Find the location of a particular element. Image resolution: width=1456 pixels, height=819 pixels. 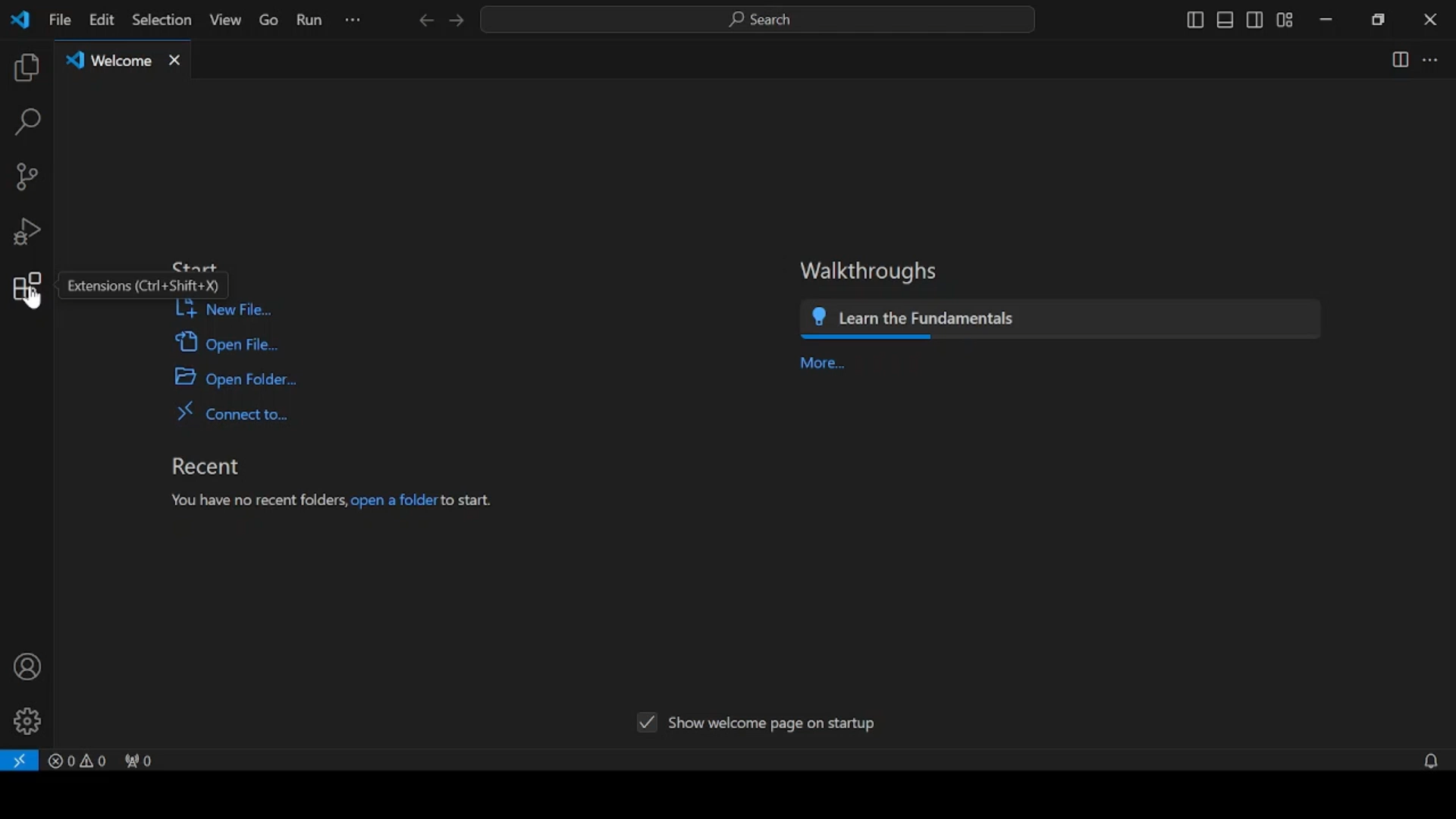

go is located at coordinates (265, 20).